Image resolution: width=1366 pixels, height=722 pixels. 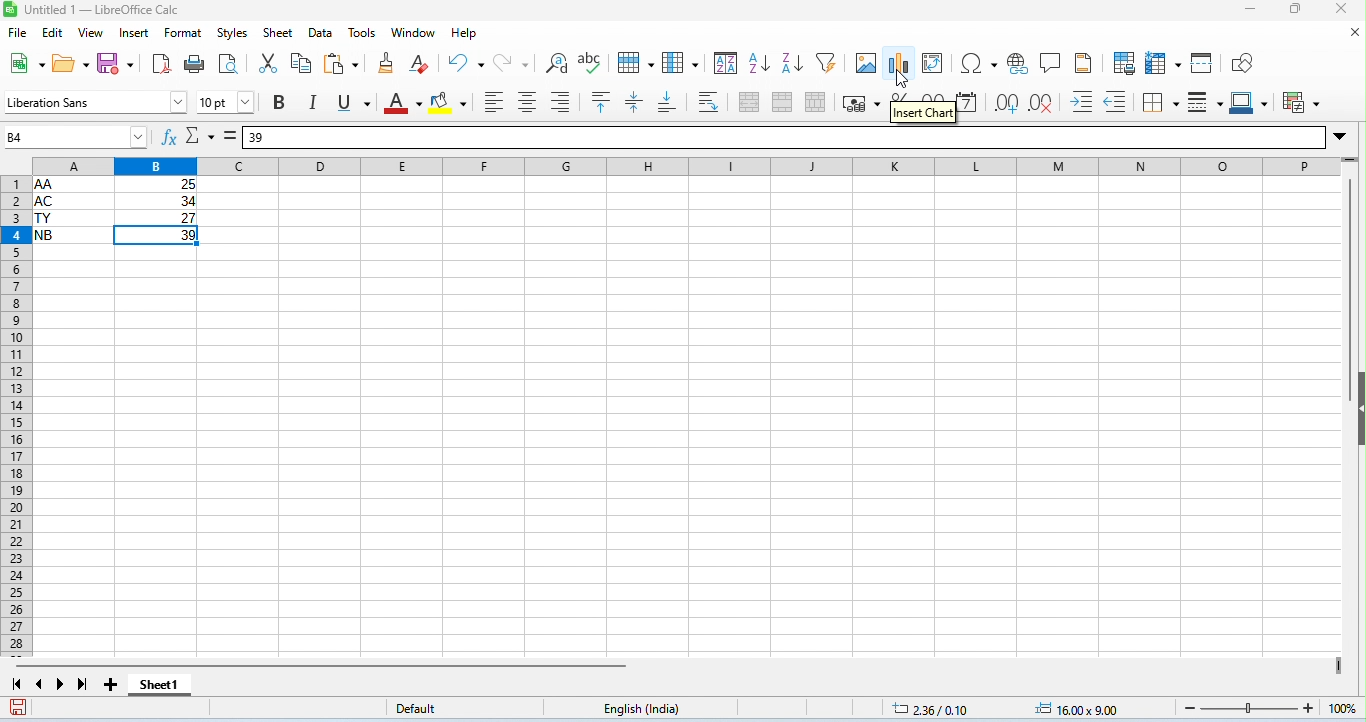 What do you see at coordinates (282, 103) in the screenshot?
I see `bold` at bounding box center [282, 103].